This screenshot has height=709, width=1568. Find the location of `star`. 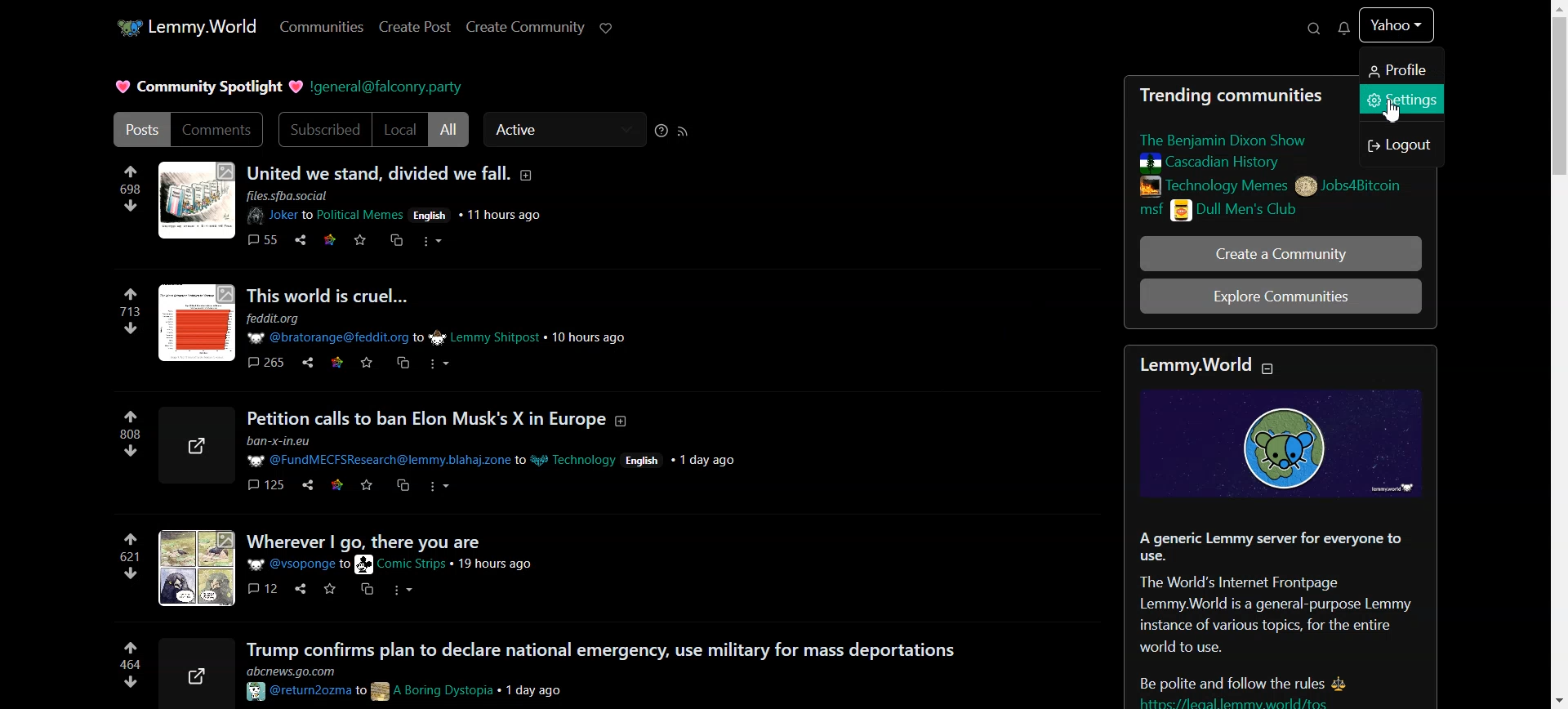

star is located at coordinates (371, 489).